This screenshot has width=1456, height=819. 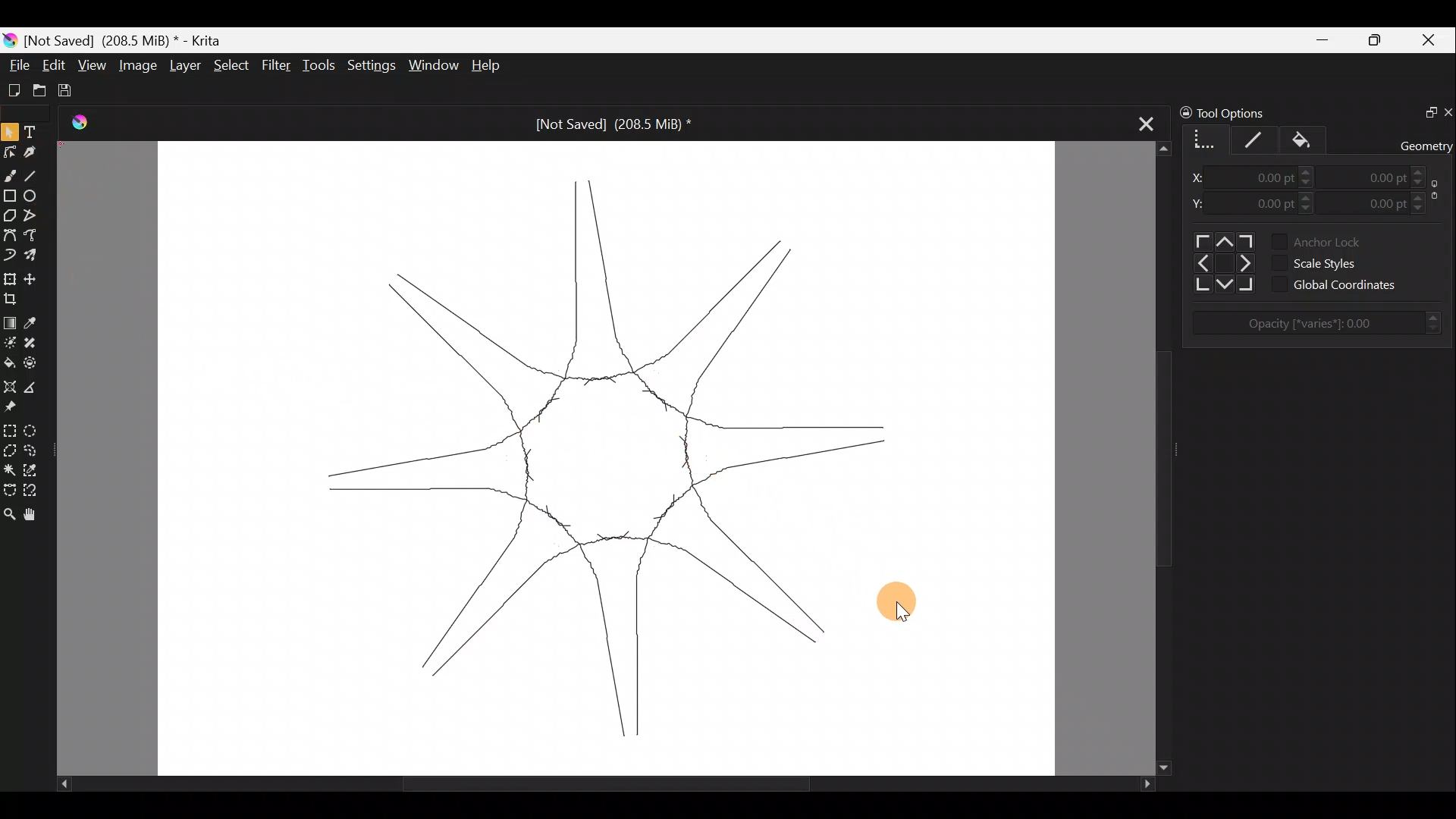 What do you see at coordinates (9, 342) in the screenshot?
I see `Colorize mask tool` at bounding box center [9, 342].